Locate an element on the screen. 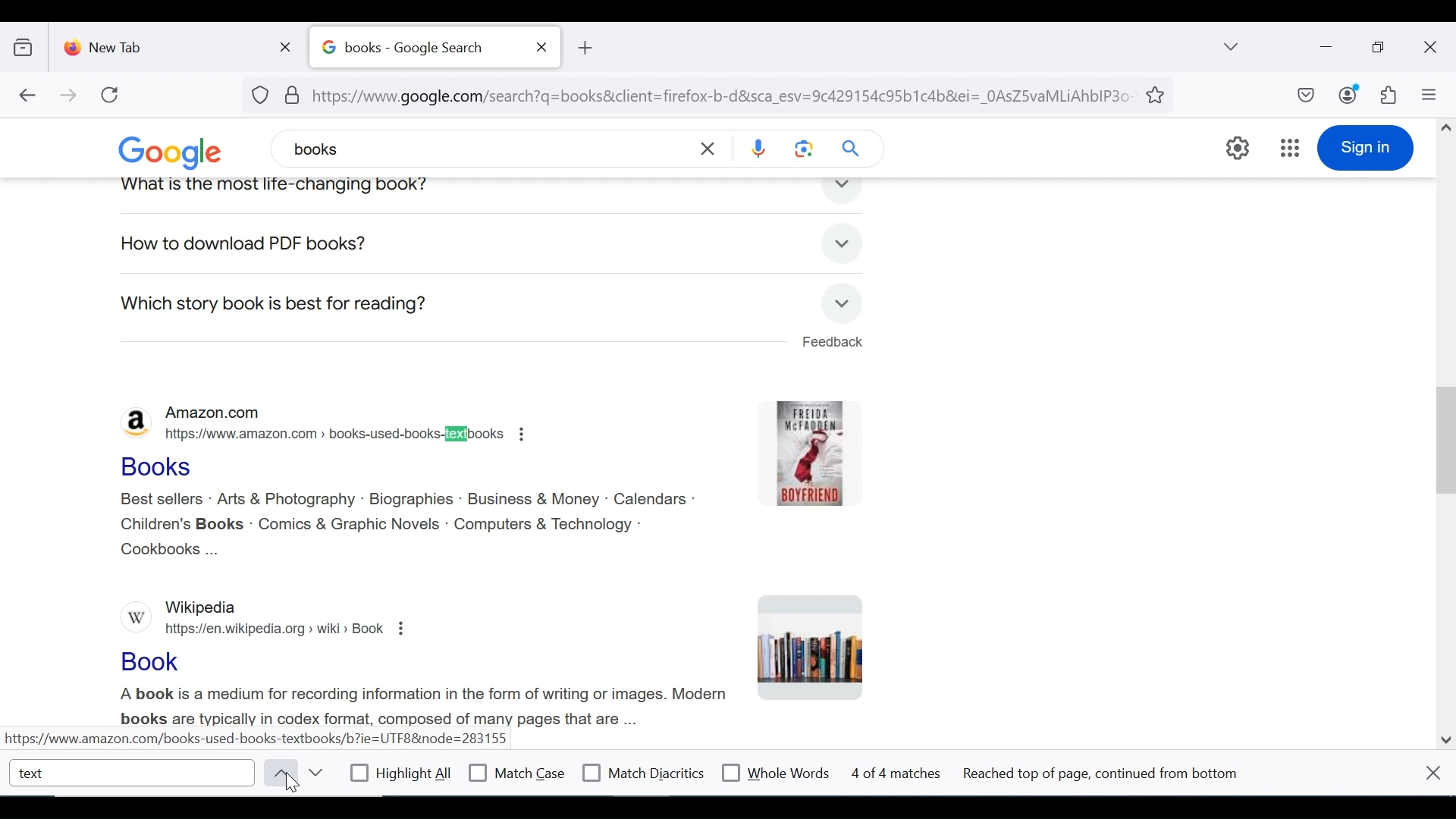 The image size is (1456, 819). maps is located at coordinates (527, 244).